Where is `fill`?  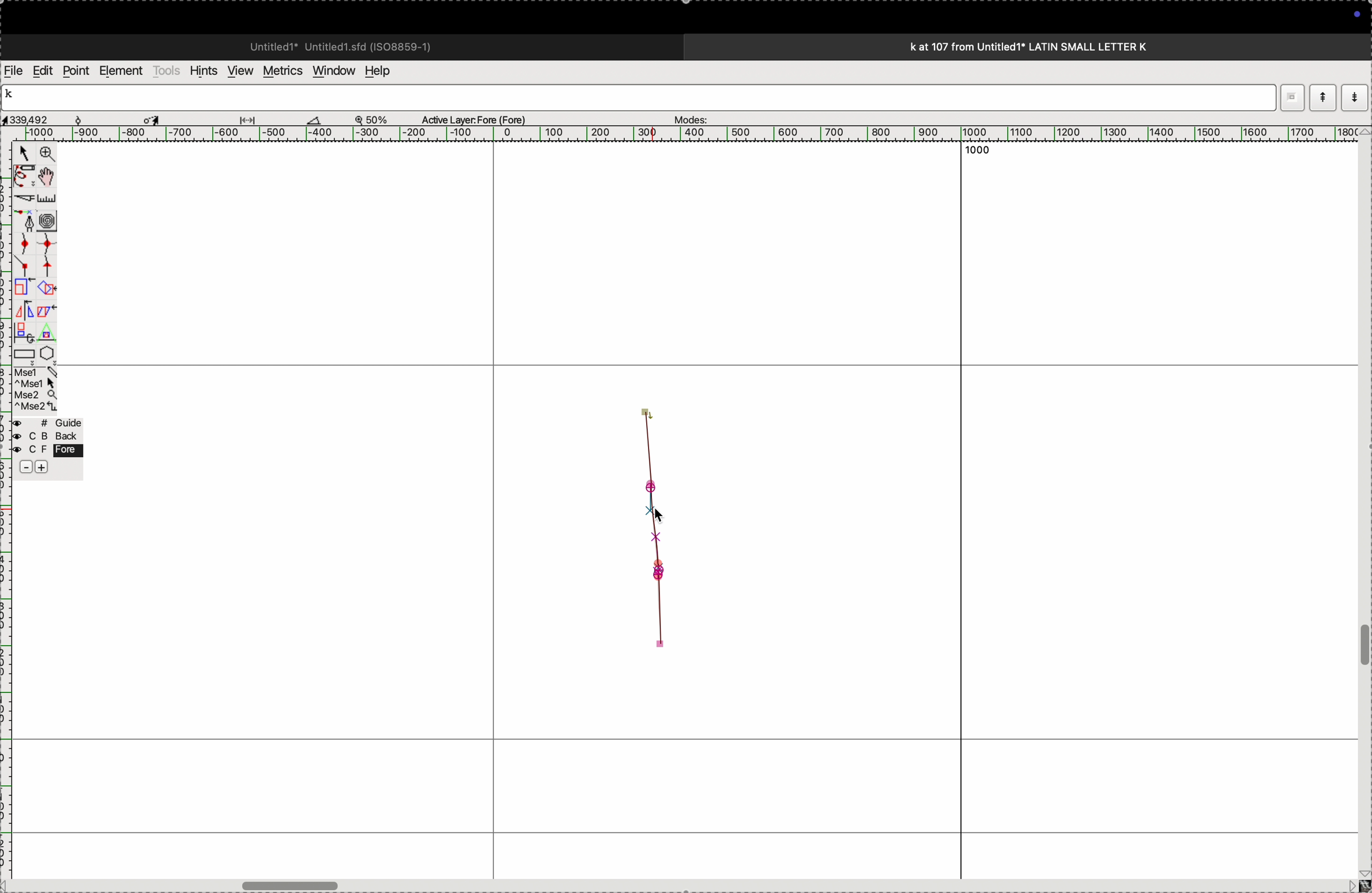 fill is located at coordinates (48, 287).